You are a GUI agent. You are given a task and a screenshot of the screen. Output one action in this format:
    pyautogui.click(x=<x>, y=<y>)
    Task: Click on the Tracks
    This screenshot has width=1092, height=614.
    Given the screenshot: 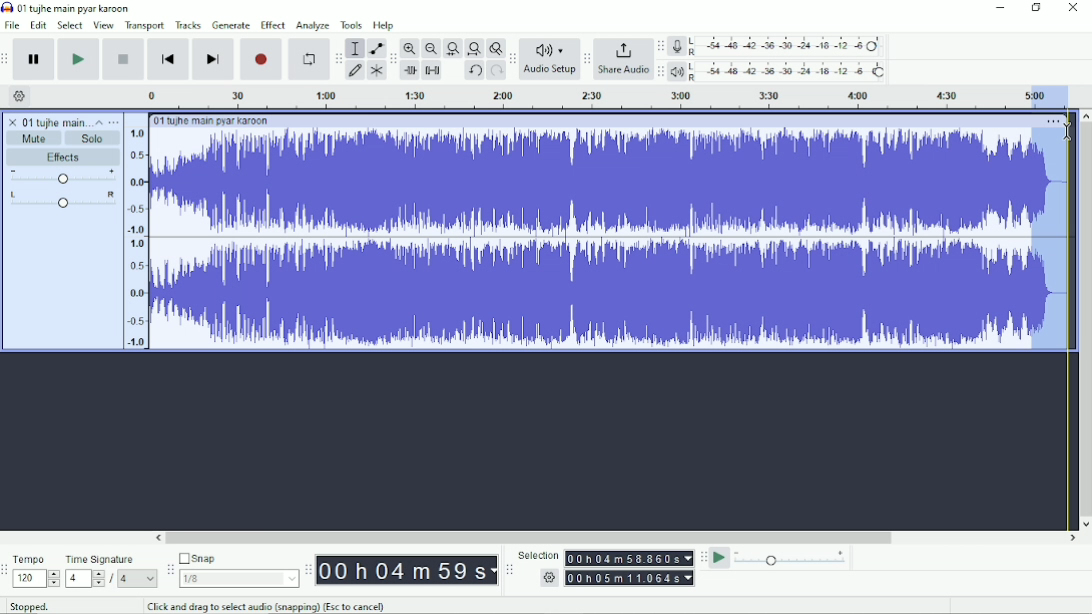 What is the action you would take?
    pyautogui.click(x=189, y=25)
    